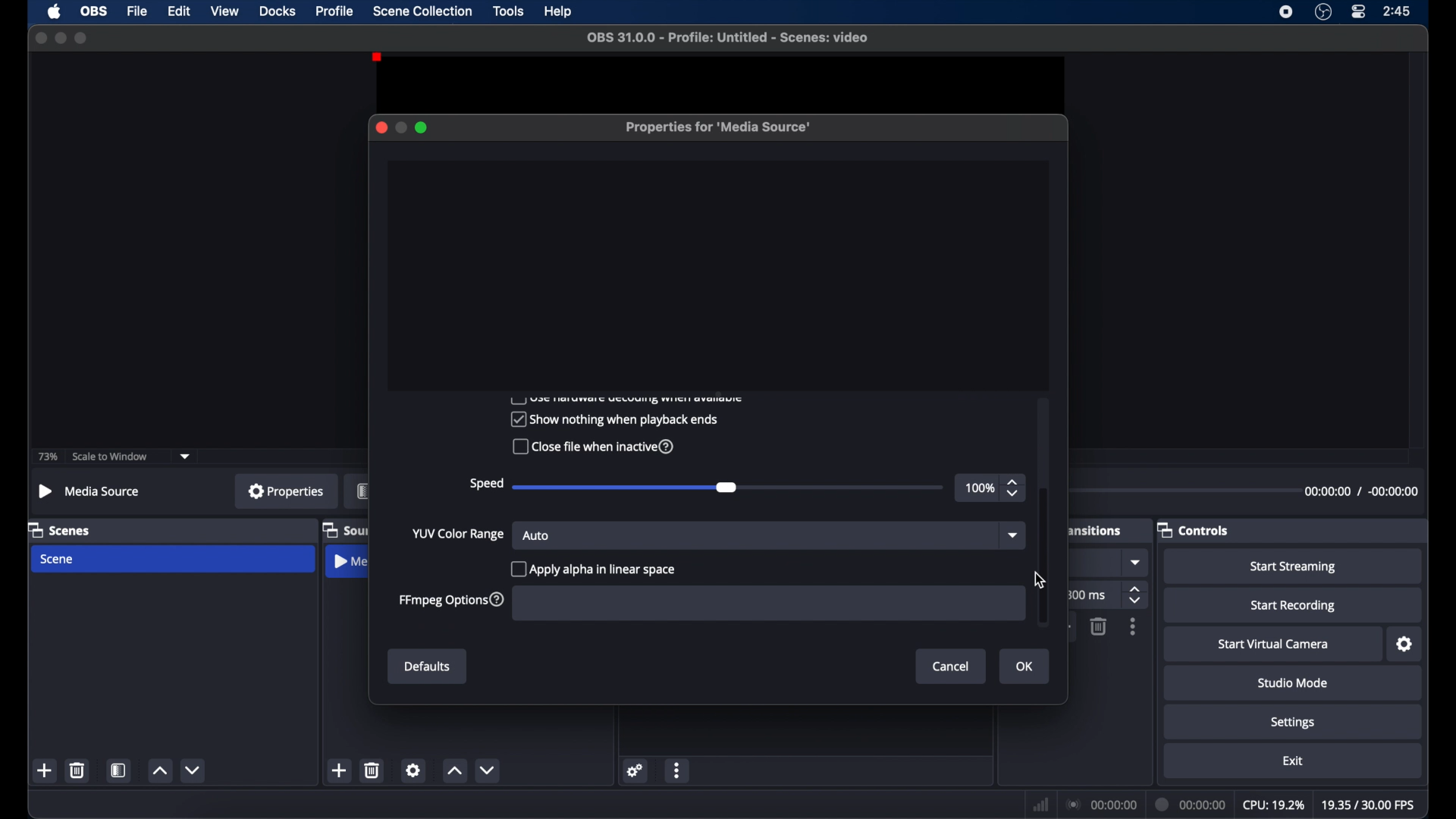 Image resolution: width=1456 pixels, height=819 pixels. What do you see at coordinates (677, 771) in the screenshot?
I see `moreoptions` at bounding box center [677, 771].